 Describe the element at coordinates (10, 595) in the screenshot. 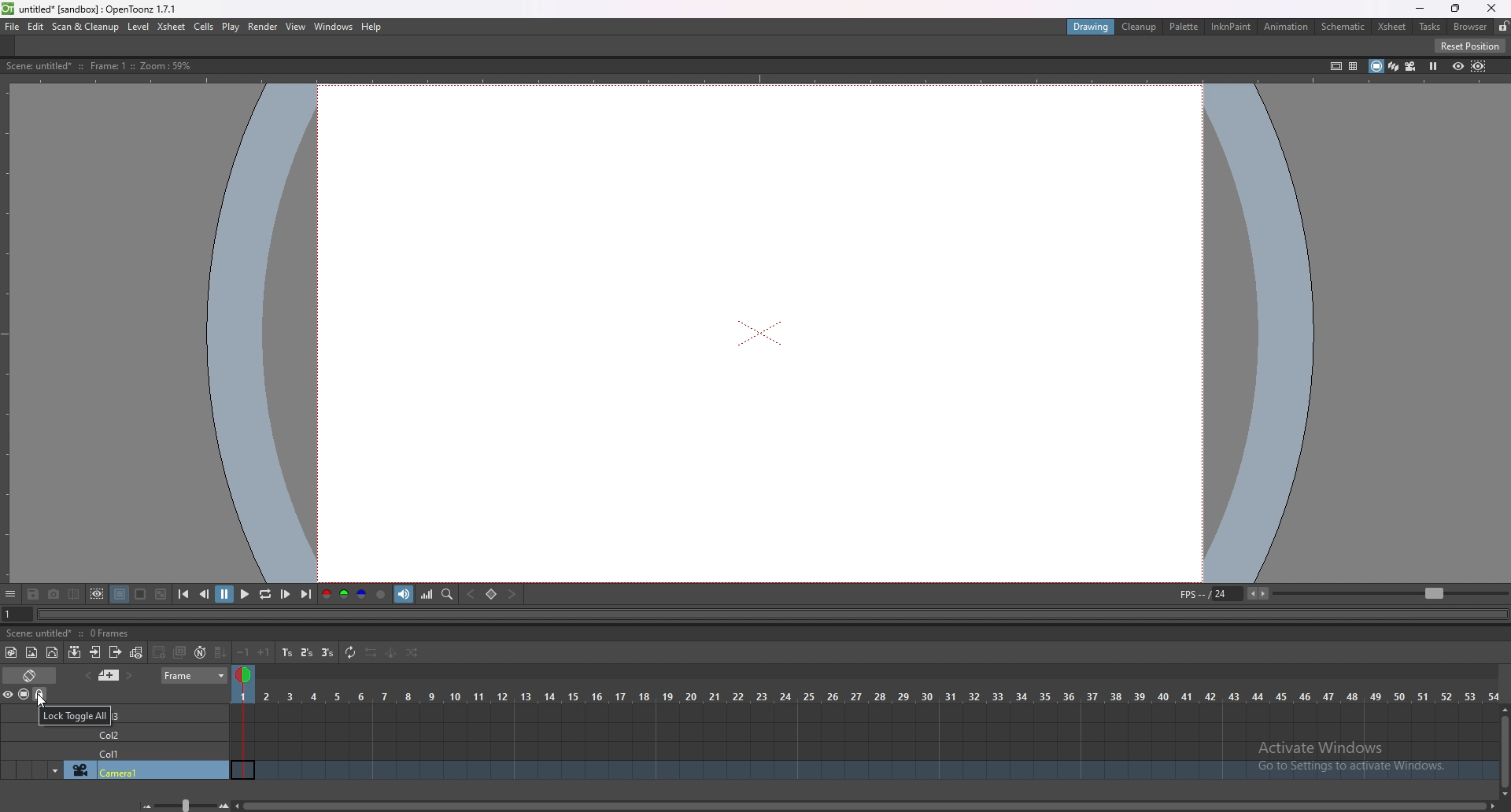

I see `hide bar` at that location.